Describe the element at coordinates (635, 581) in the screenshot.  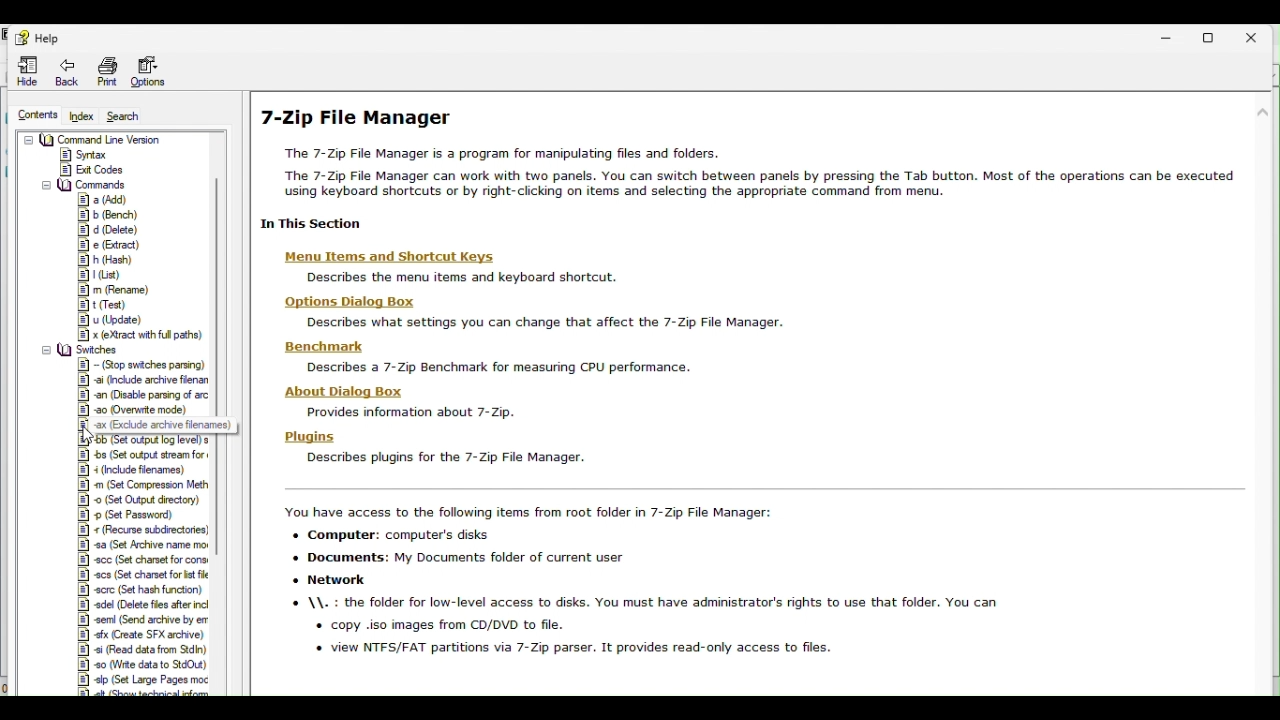
I see `You have access to the following items from root folder in 7-Zip File Manager:
«+ Computer: computer's disks
«+ Documents: My Documents folder of current user
« Network
 \\. : the folder for low-level access to disks. You must have administrator's fights to use that folder. You can
+ copy .iso images from CD/DVD to file.
« view NTFS/FAT partitions via 7-Zip parser. It provides read-only access to files.` at that location.